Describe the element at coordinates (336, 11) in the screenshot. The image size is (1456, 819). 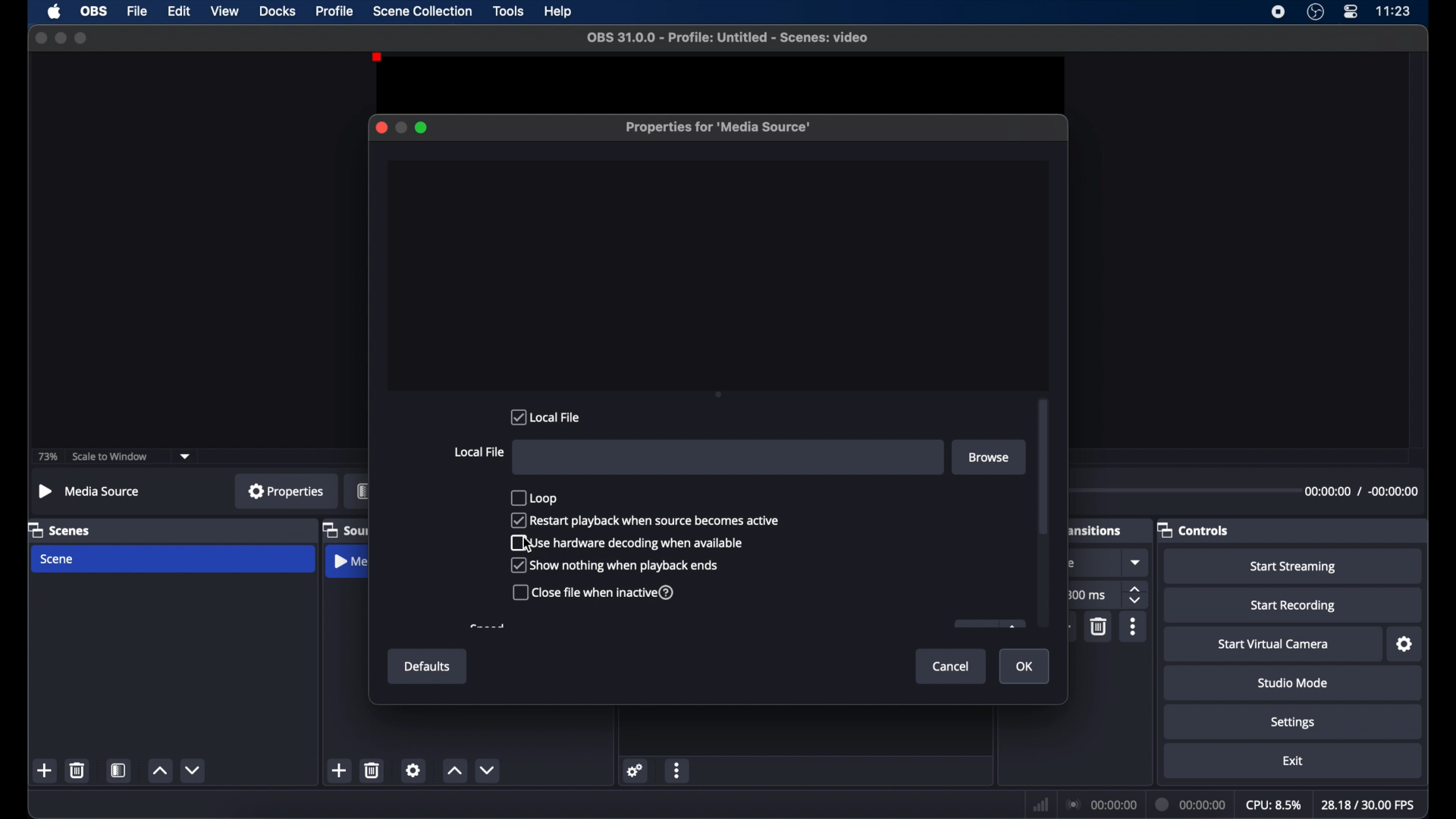
I see `profile` at that location.